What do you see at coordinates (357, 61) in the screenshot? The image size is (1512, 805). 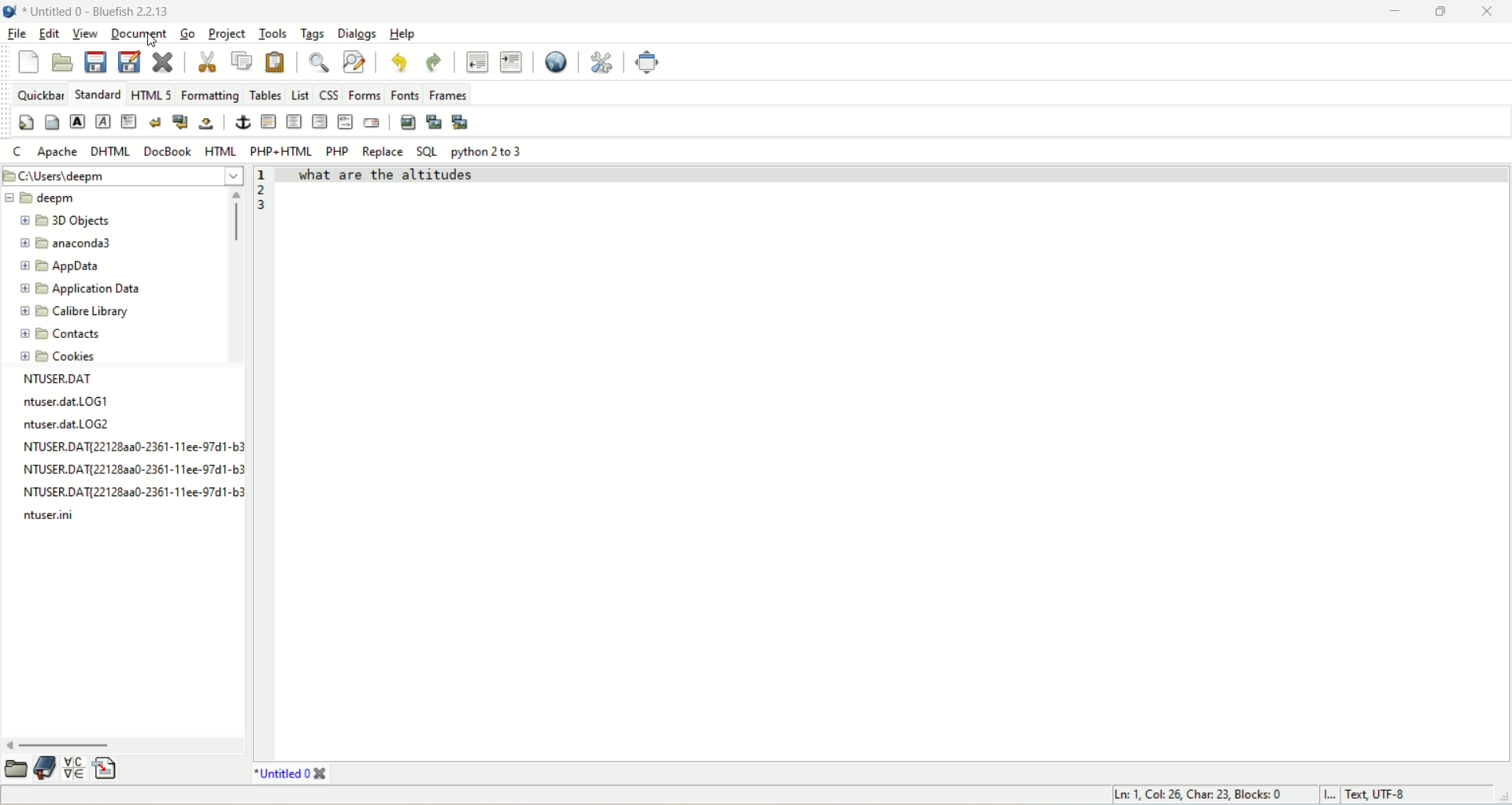 I see `advanced find and replace` at bounding box center [357, 61].